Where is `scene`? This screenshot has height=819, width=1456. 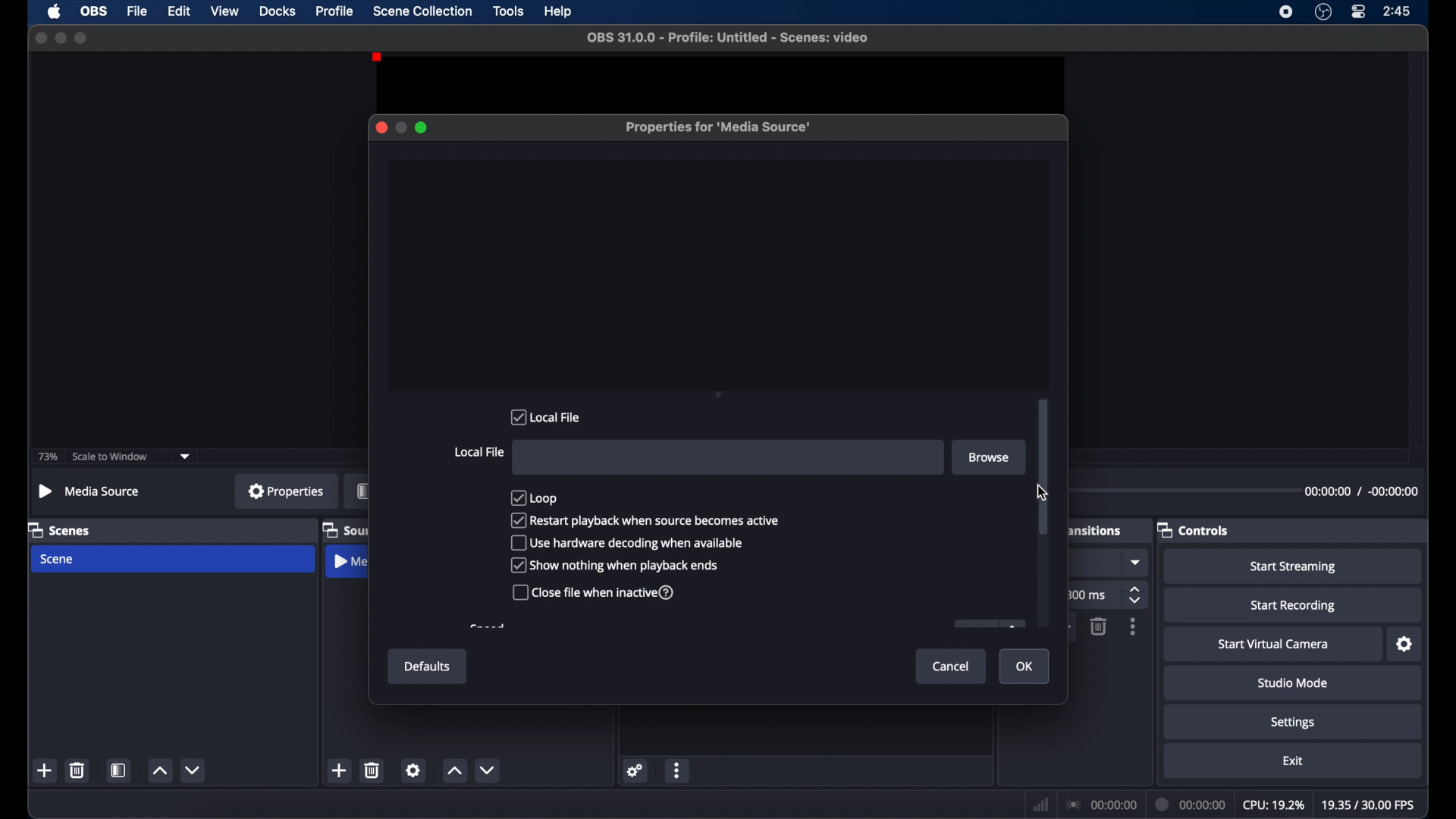
scene is located at coordinates (58, 559).